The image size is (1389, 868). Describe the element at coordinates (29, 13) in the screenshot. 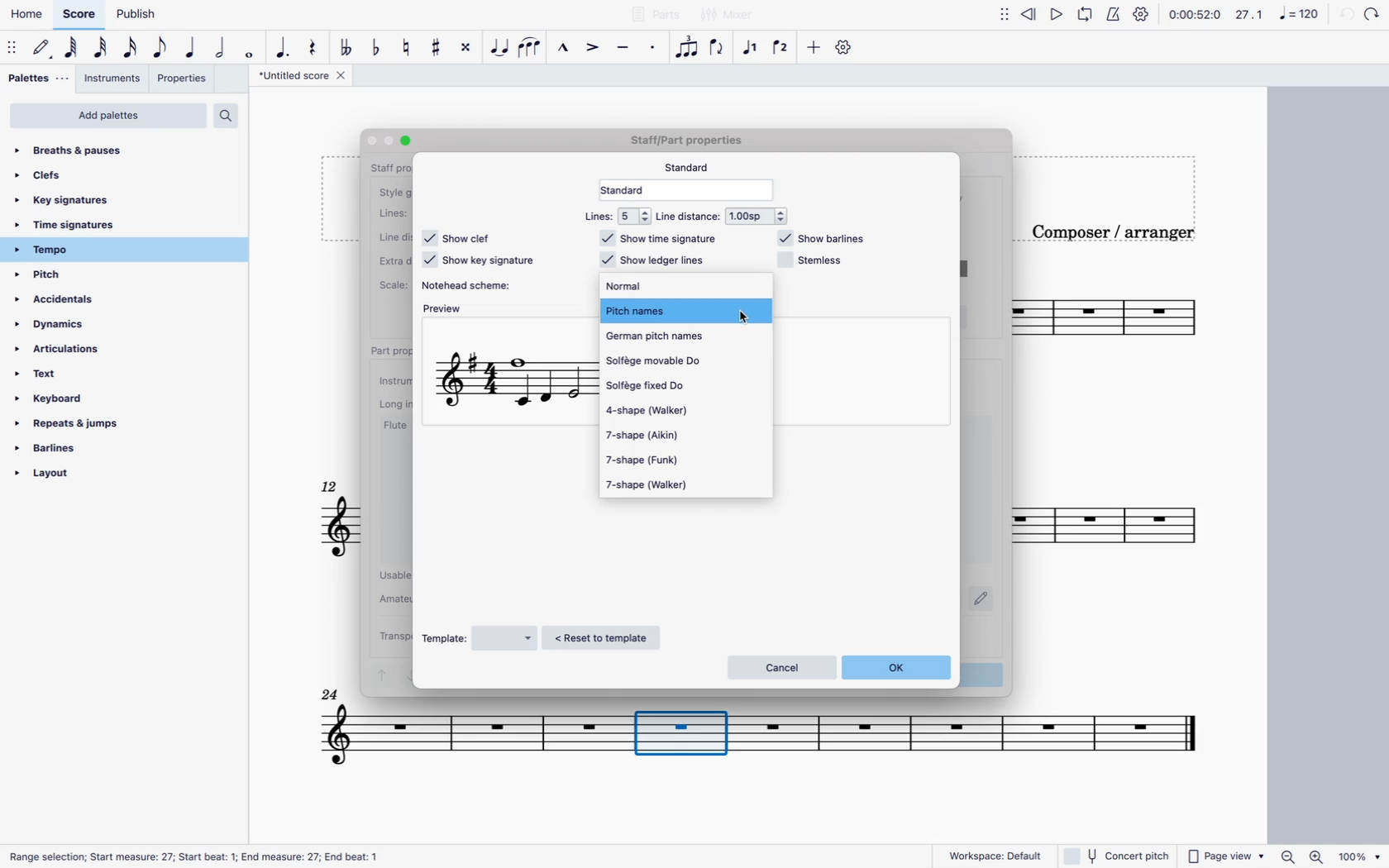

I see `home` at that location.